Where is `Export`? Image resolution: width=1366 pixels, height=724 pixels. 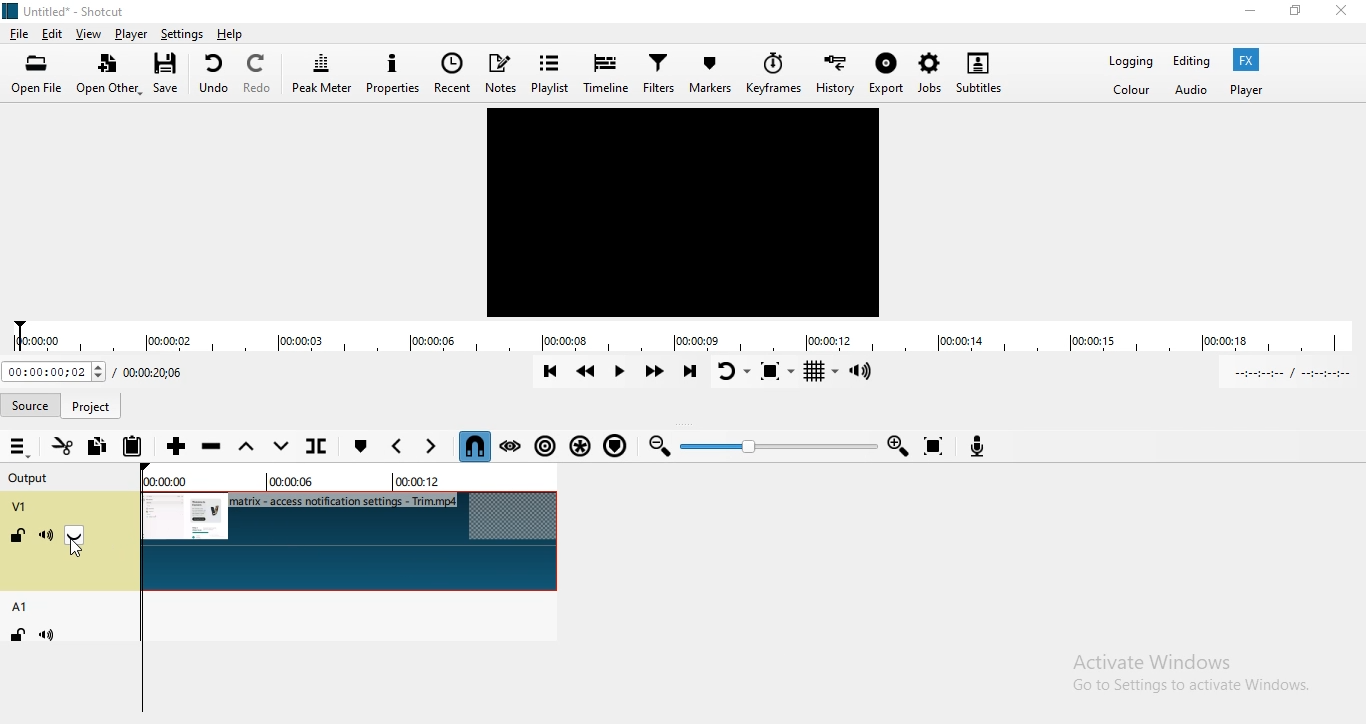
Export is located at coordinates (888, 75).